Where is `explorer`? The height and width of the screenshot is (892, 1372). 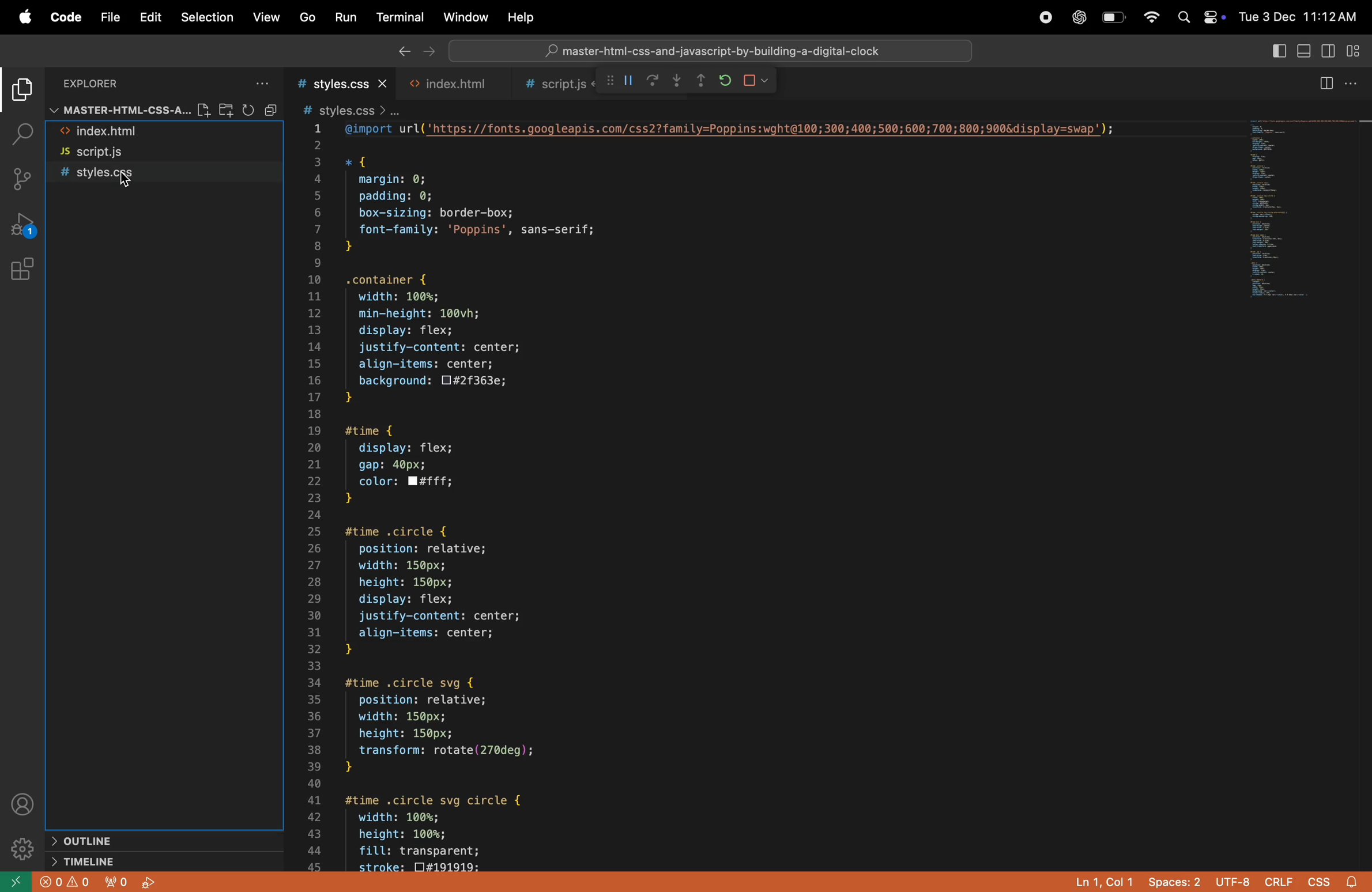
explorer is located at coordinates (109, 84).